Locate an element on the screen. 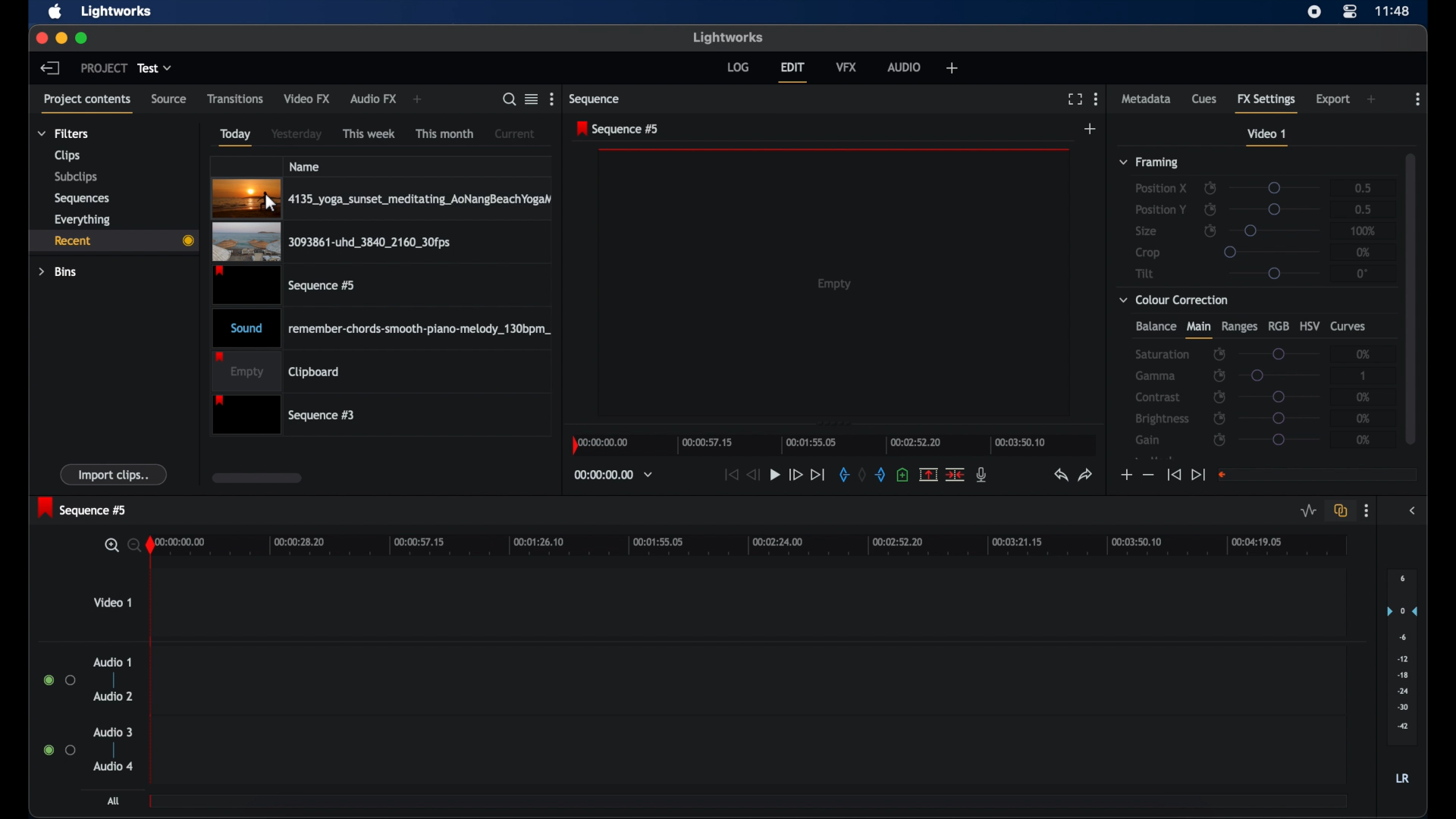  edit is located at coordinates (792, 72).